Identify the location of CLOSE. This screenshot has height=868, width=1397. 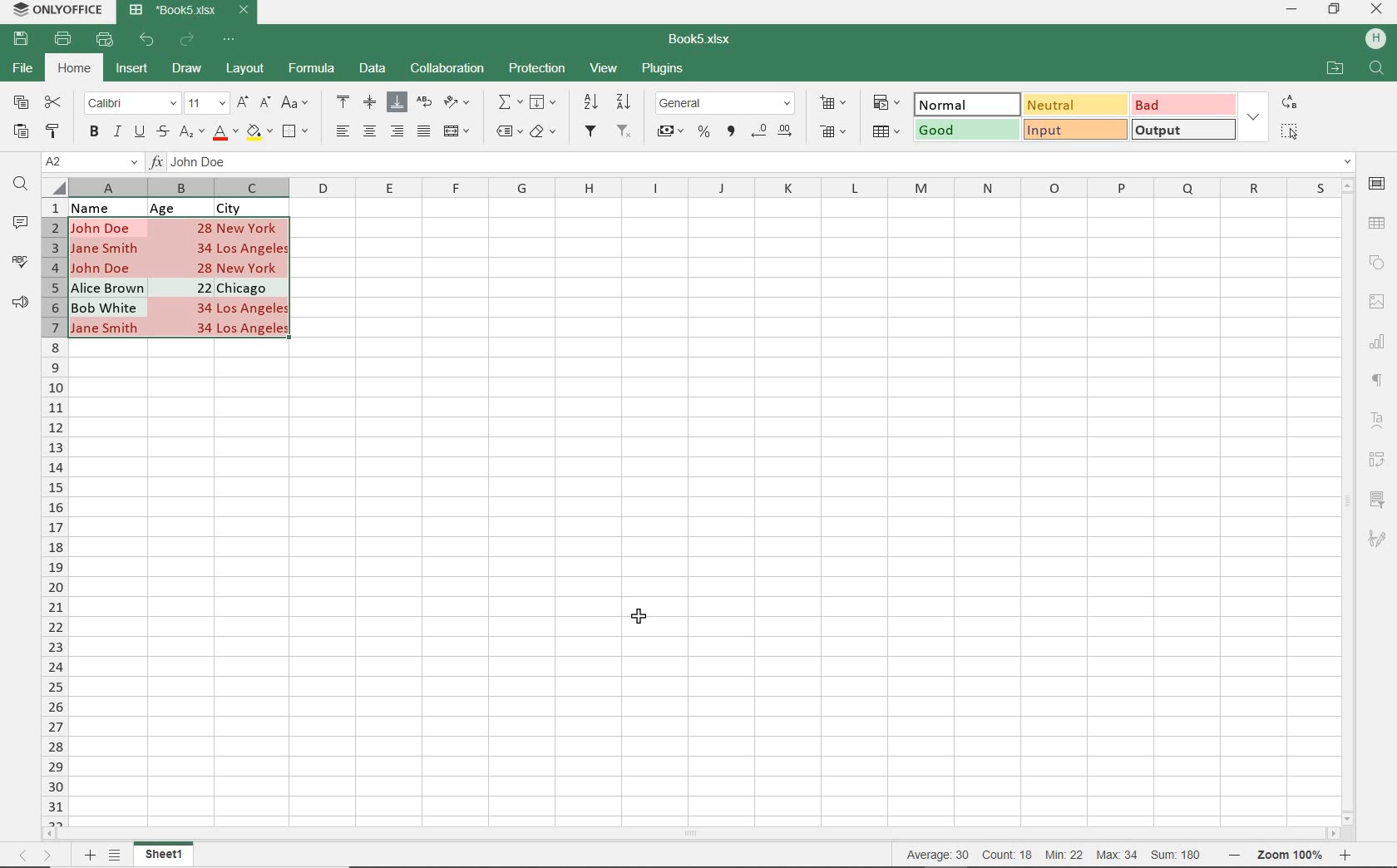
(1377, 10).